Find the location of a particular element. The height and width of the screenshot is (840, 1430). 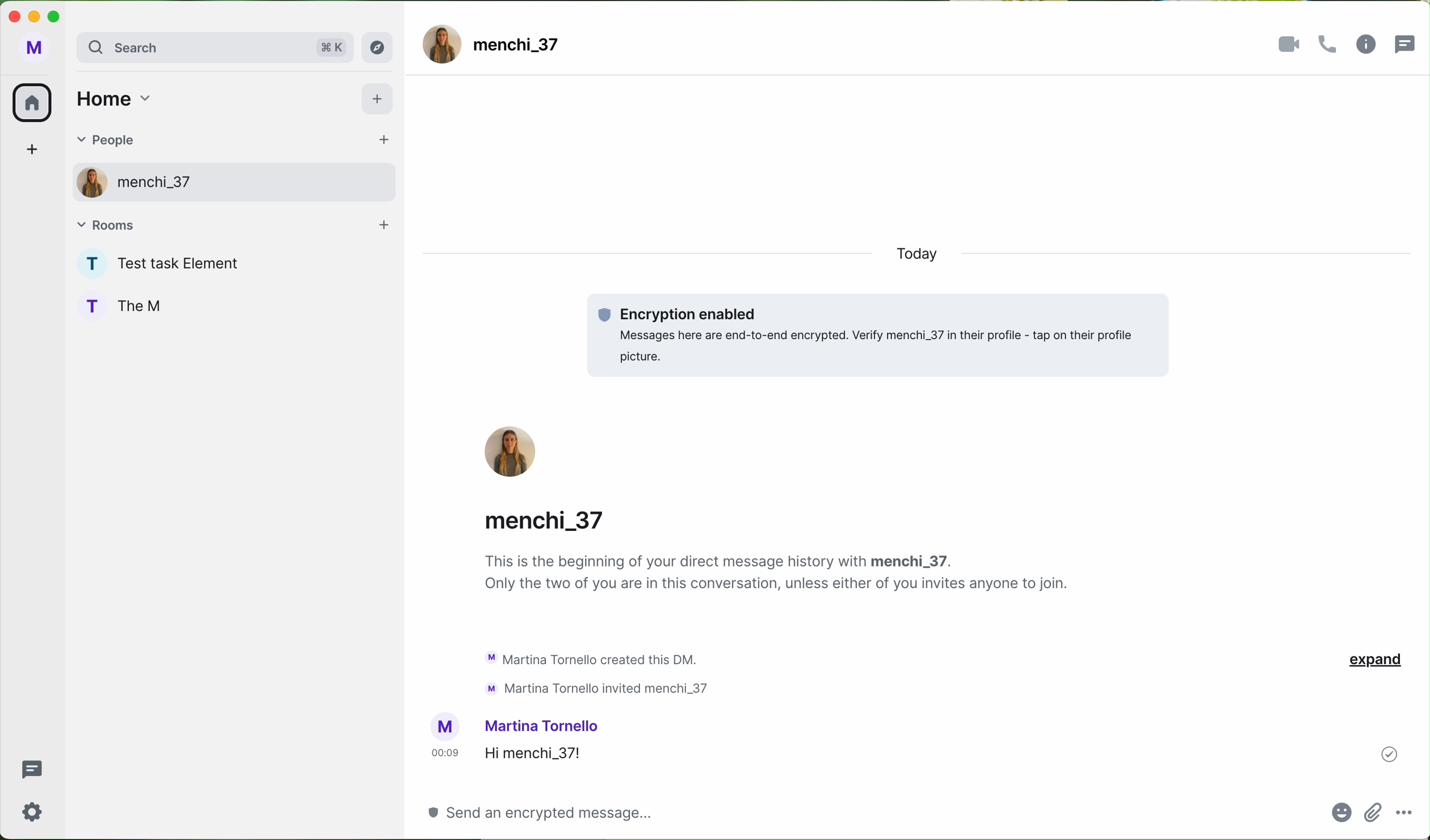

profile is located at coordinates (89, 304).